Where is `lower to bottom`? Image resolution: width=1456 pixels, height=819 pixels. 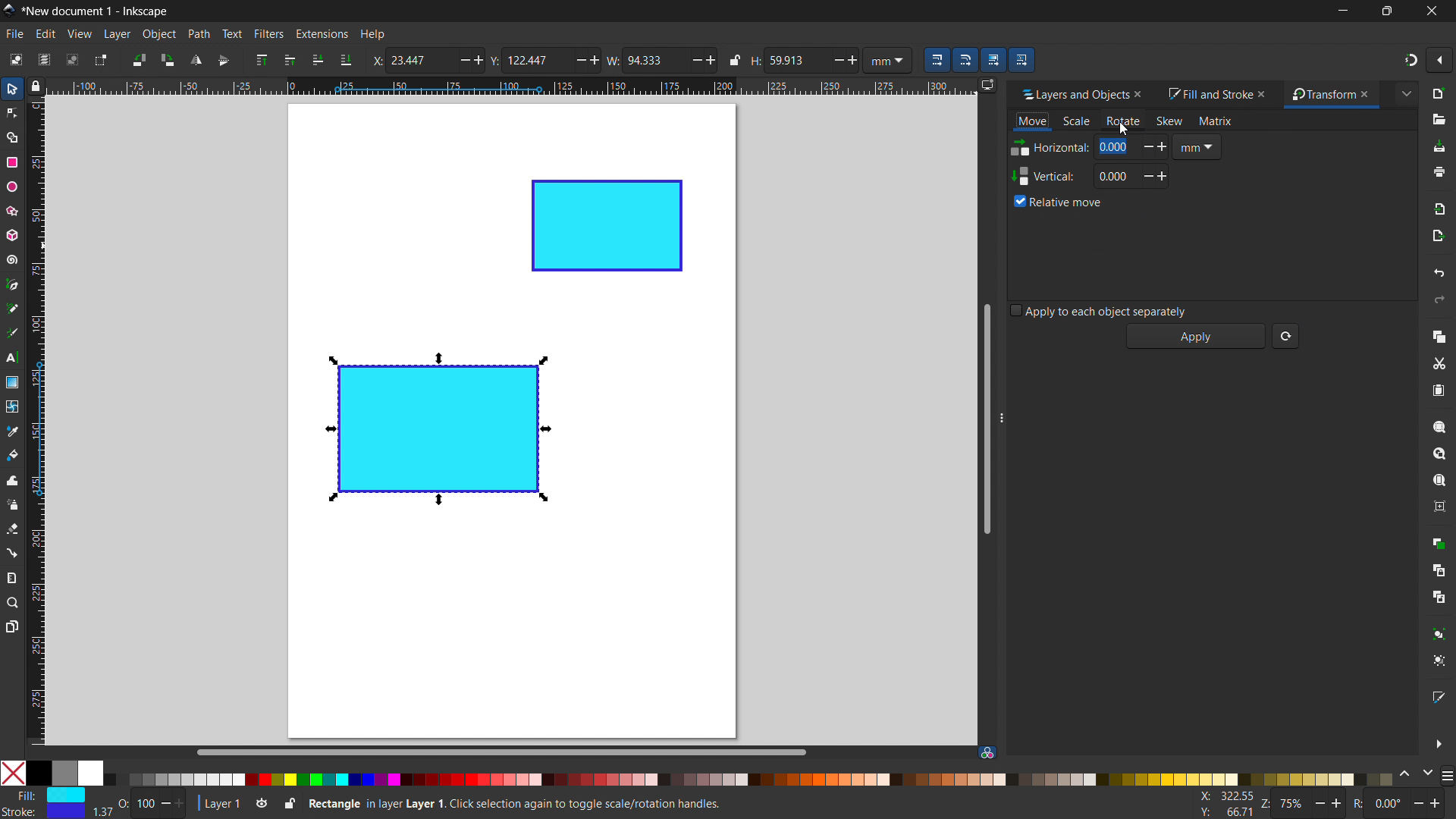
lower to bottom is located at coordinates (346, 61).